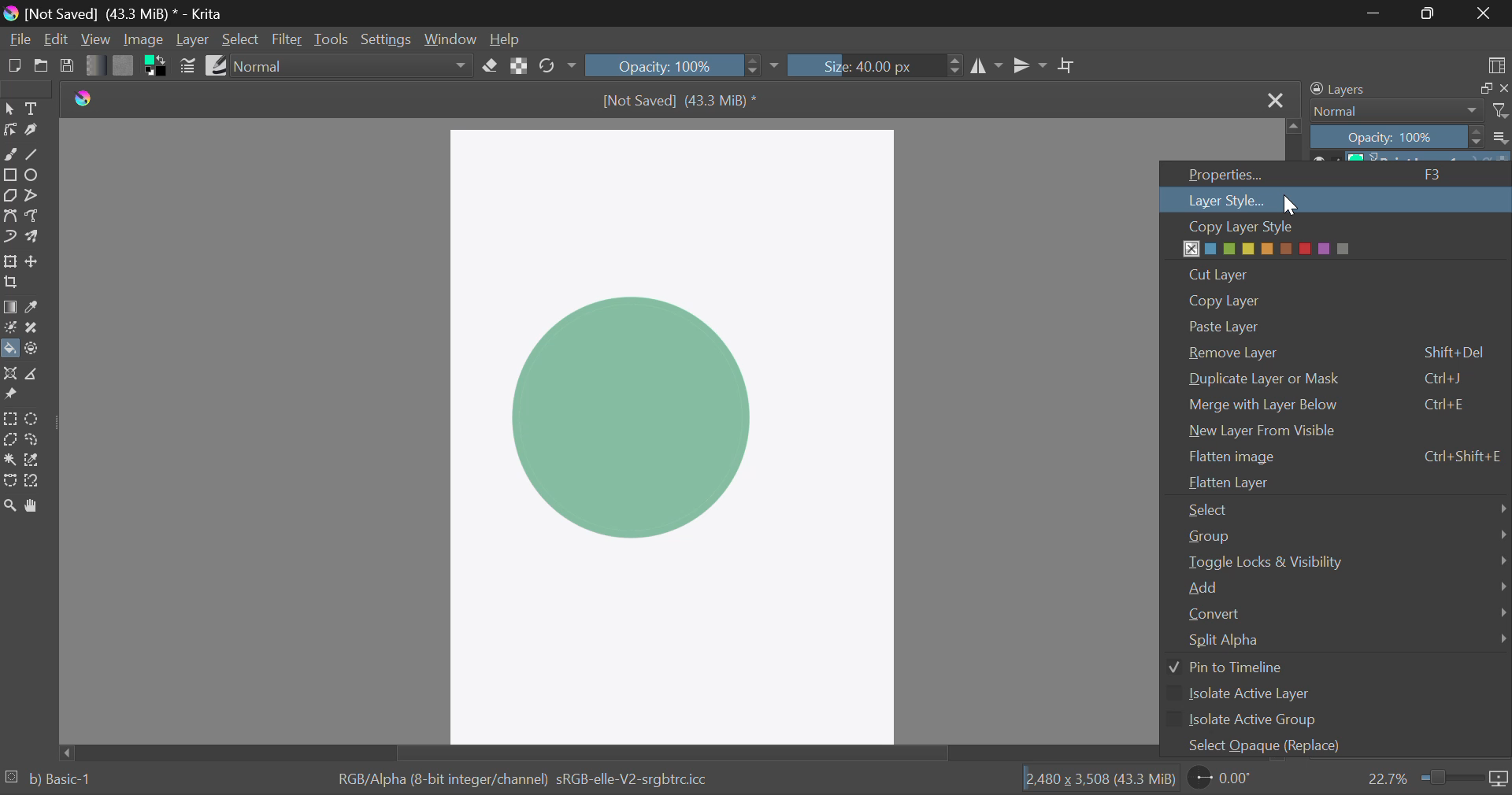 This screenshot has width=1512, height=795. Describe the element at coordinates (14, 66) in the screenshot. I see `New` at that location.